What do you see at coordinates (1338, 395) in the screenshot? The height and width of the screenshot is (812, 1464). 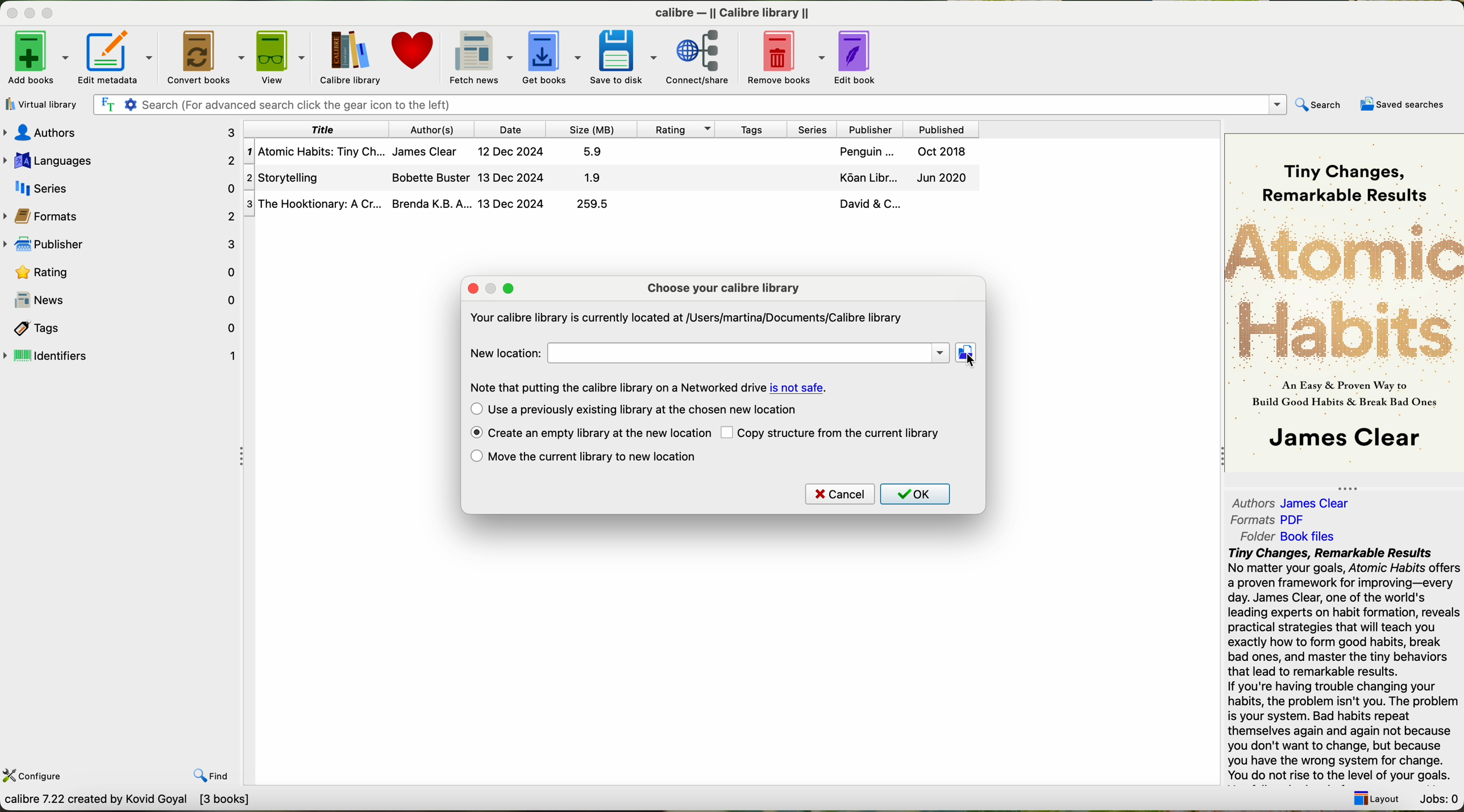 I see `As Easy & Proven Way toBuild Good Habits & Break Bad Ones` at bounding box center [1338, 395].